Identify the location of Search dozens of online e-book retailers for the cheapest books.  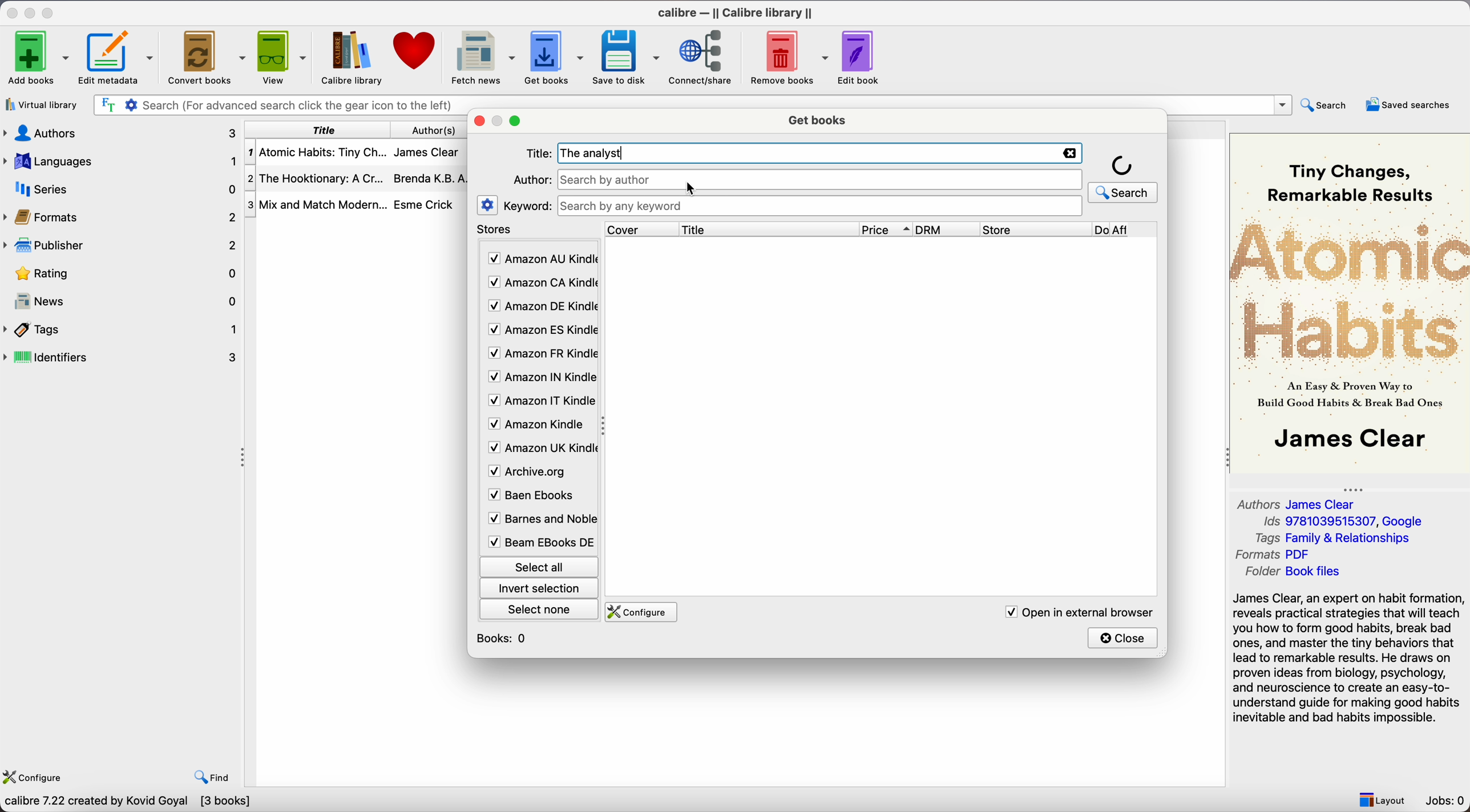
(172, 803).